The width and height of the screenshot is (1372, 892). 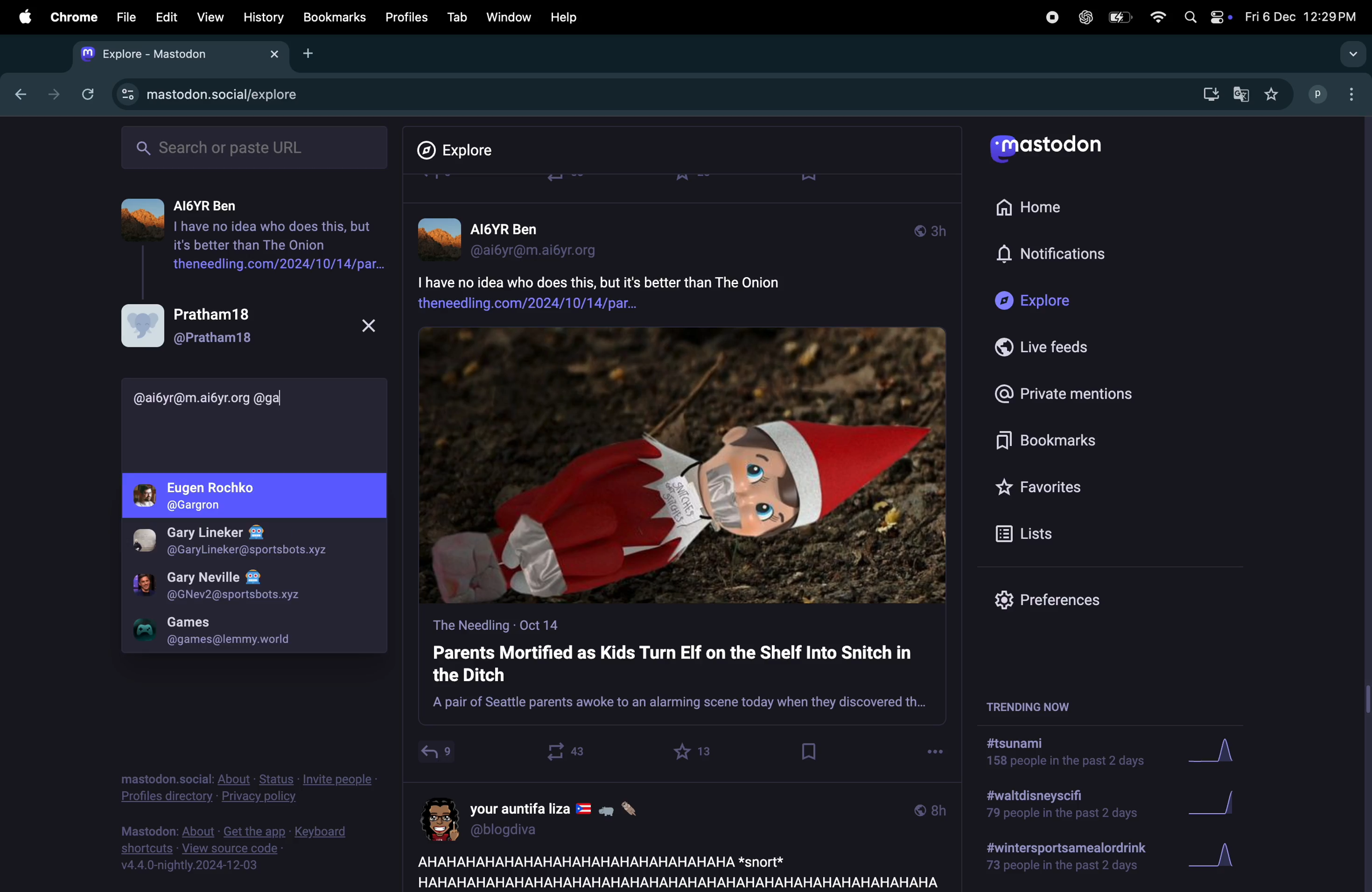 What do you see at coordinates (673, 870) in the screenshot?
I see `post` at bounding box center [673, 870].